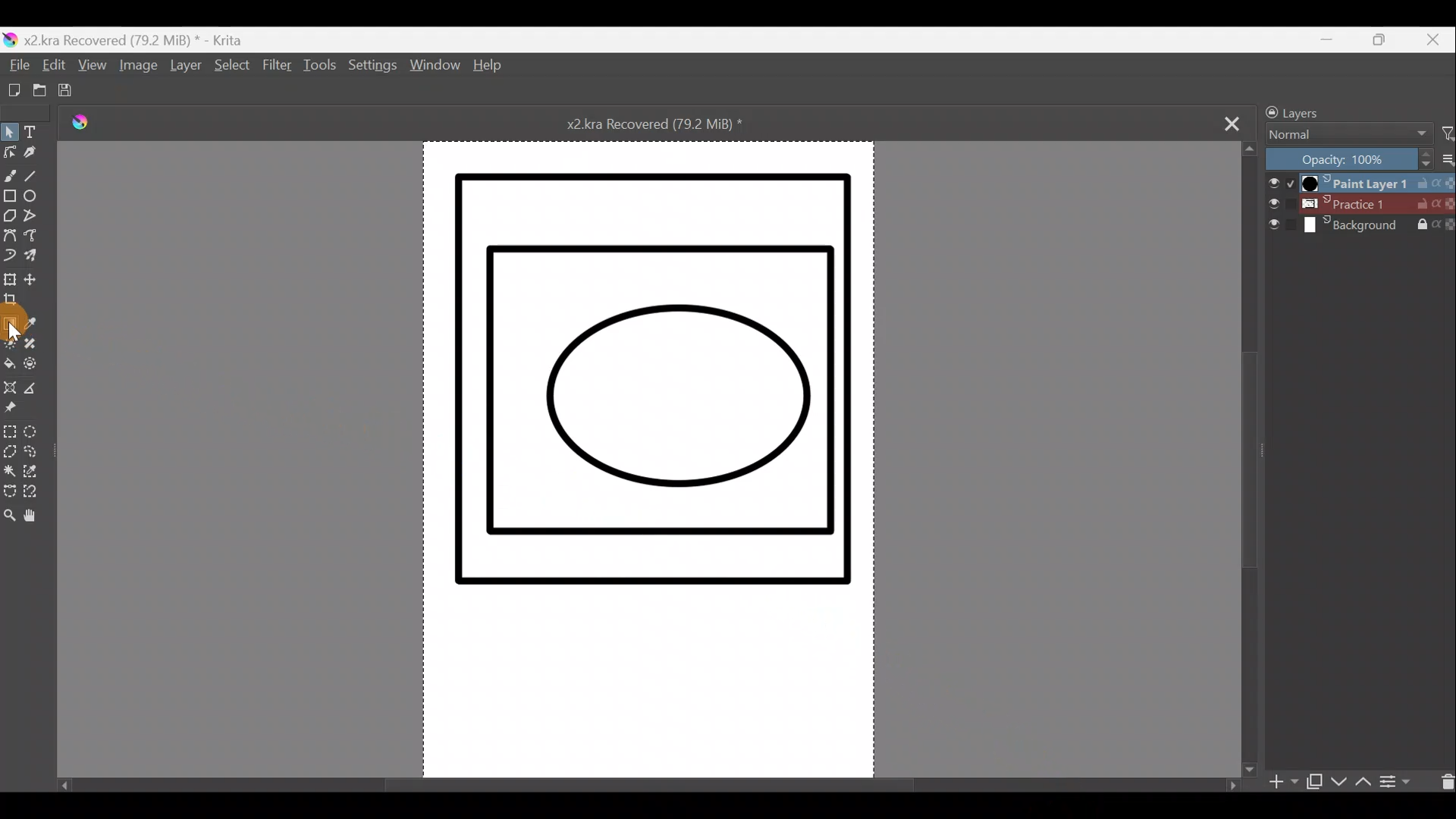 The width and height of the screenshot is (1456, 819). Describe the element at coordinates (1443, 780) in the screenshot. I see `Delete layer/mask` at that location.